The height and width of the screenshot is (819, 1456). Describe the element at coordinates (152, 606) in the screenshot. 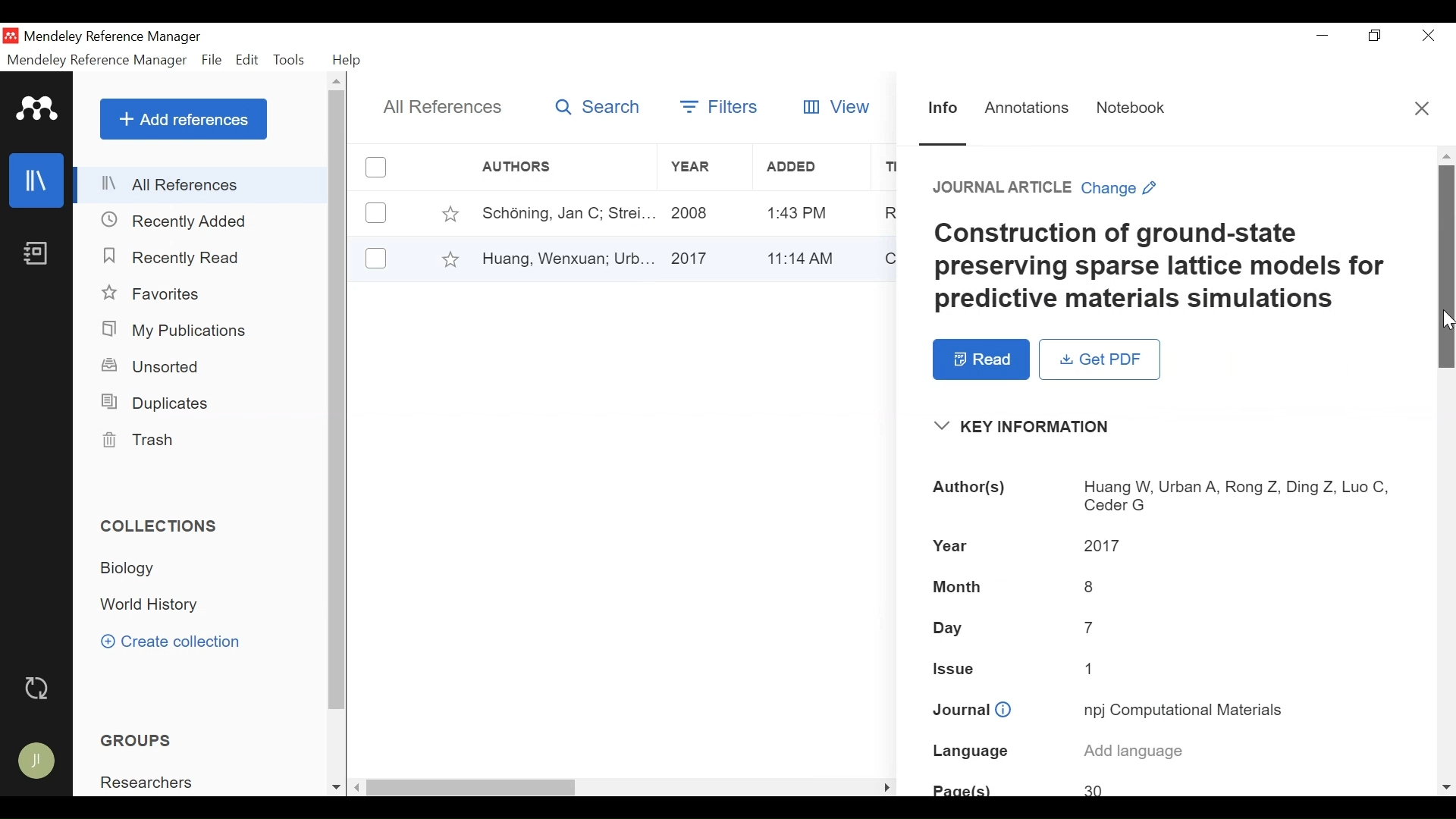

I see `Collection` at that location.